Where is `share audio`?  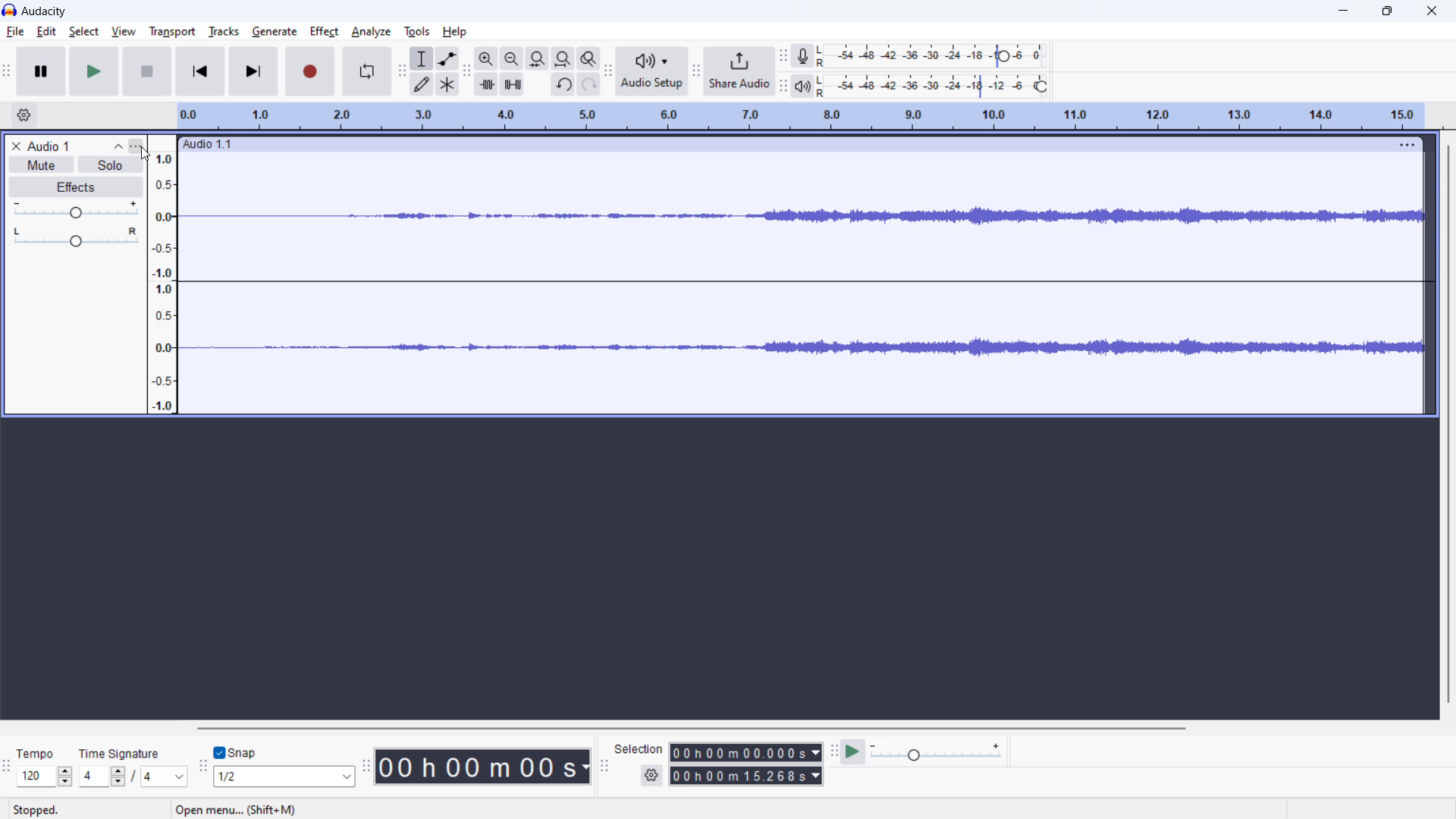
share audio is located at coordinates (741, 71).